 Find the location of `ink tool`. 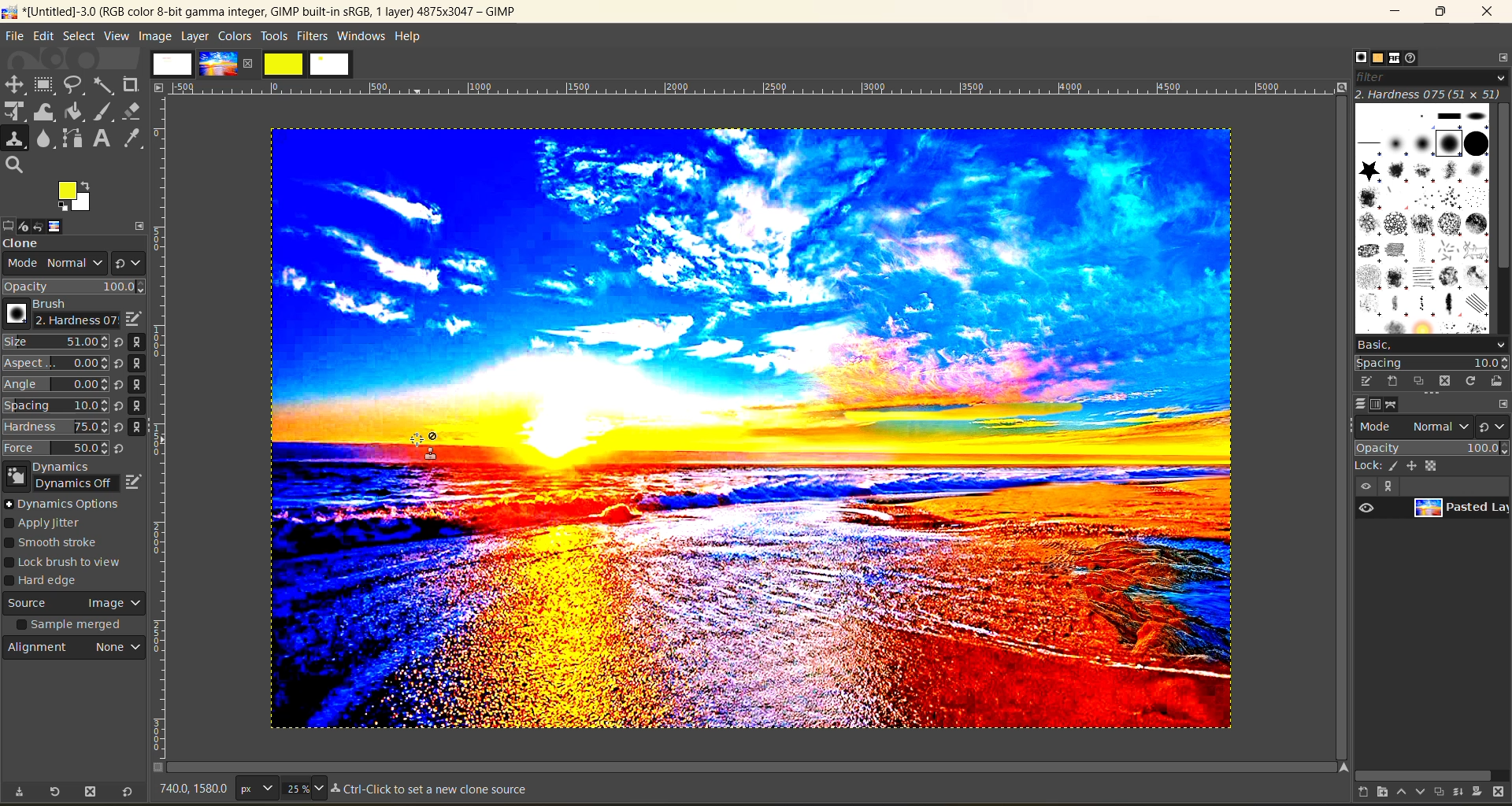

ink tool is located at coordinates (106, 112).